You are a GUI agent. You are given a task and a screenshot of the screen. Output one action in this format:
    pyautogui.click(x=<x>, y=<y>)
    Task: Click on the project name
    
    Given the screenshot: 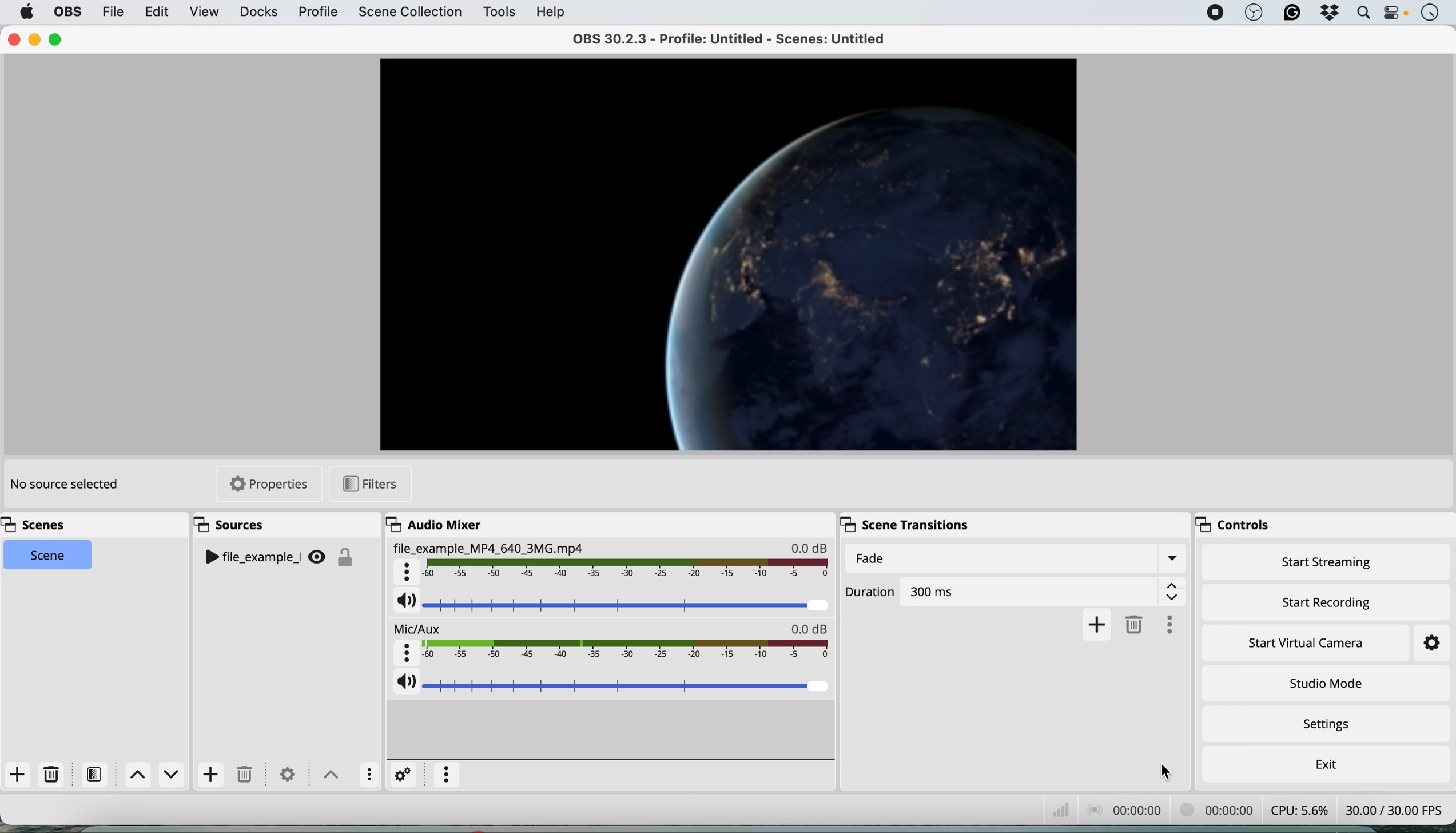 What is the action you would take?
    pyautogui.click(x=740, y=38)
    